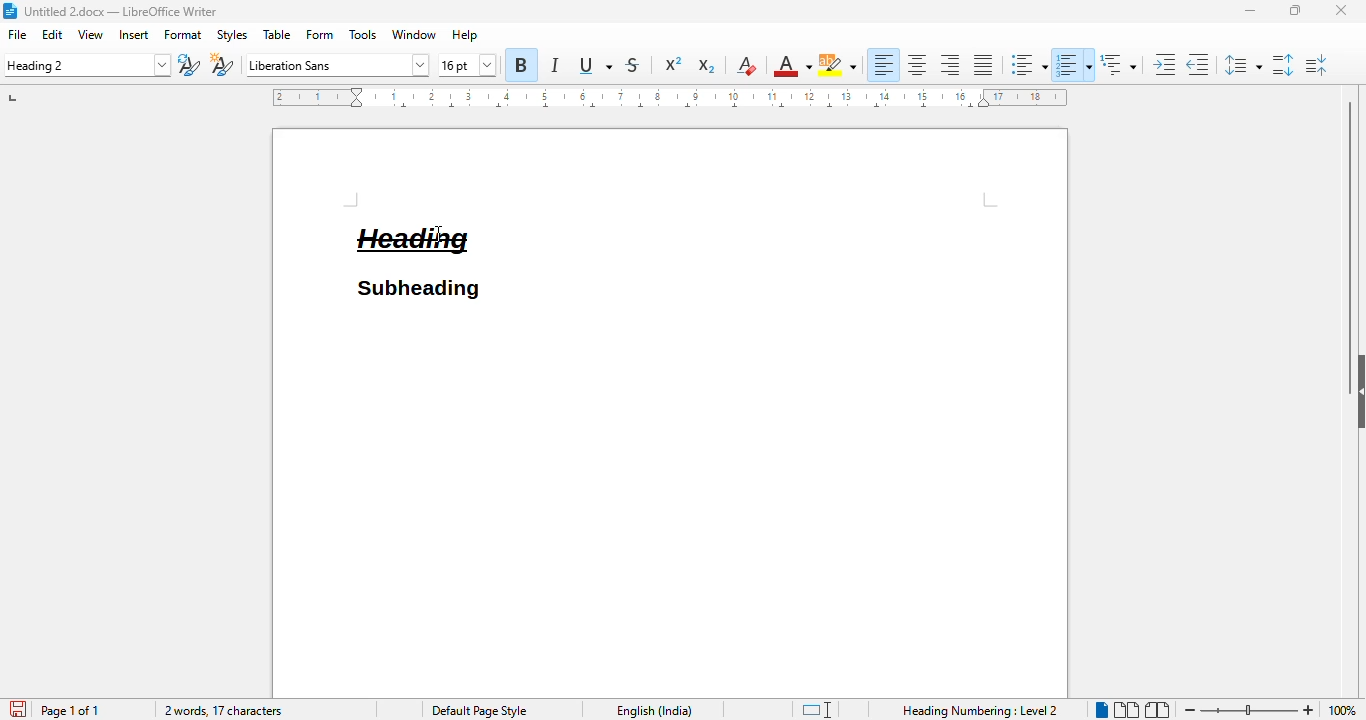 The height and width of the screenshot is (720, 1366). Describe the element at coordinates (311, 215) in the screenshot. I see `Document` at that location.